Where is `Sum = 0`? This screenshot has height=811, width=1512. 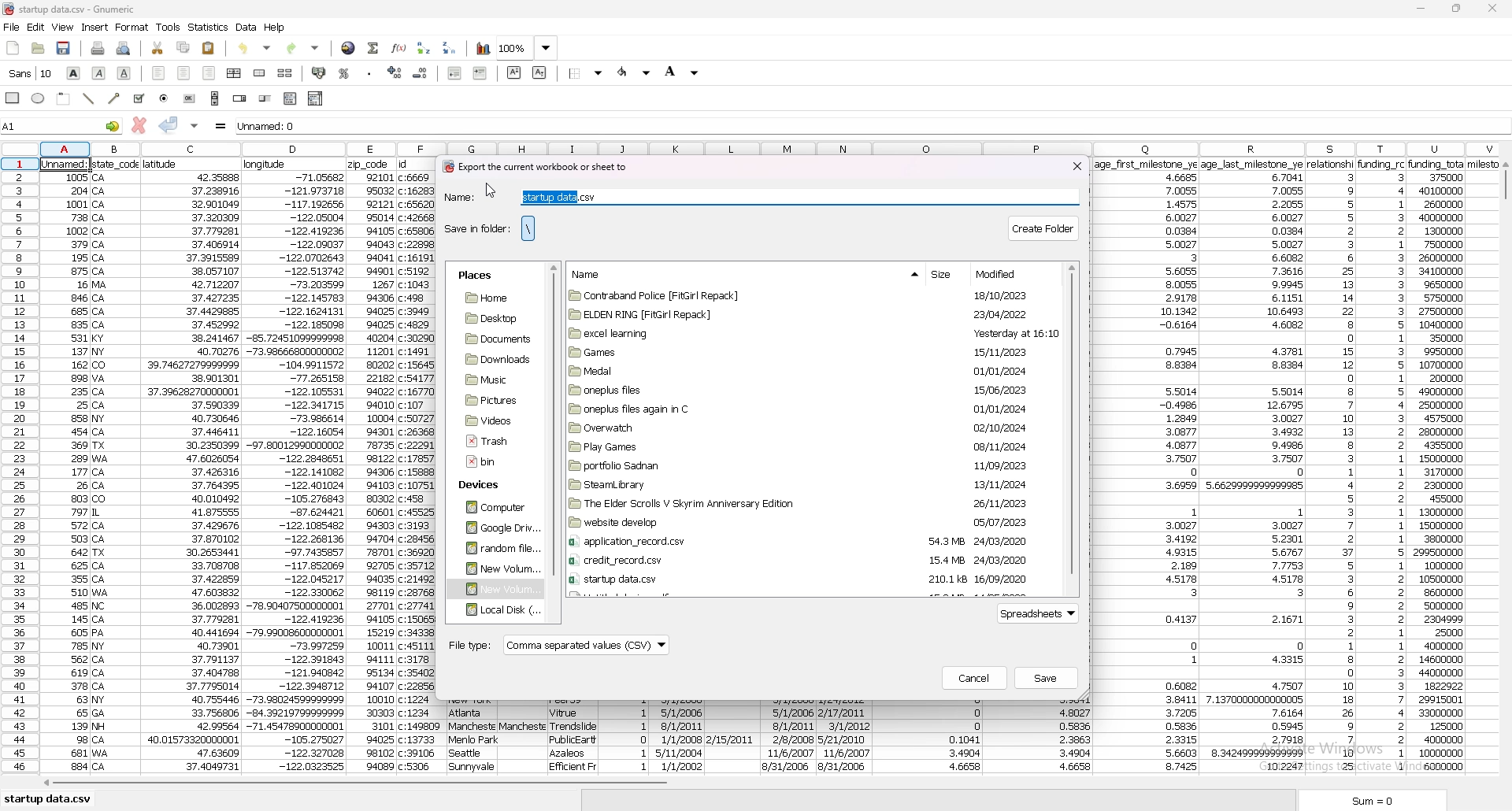 Sum = 0 is located at coordinates (1396, 802).